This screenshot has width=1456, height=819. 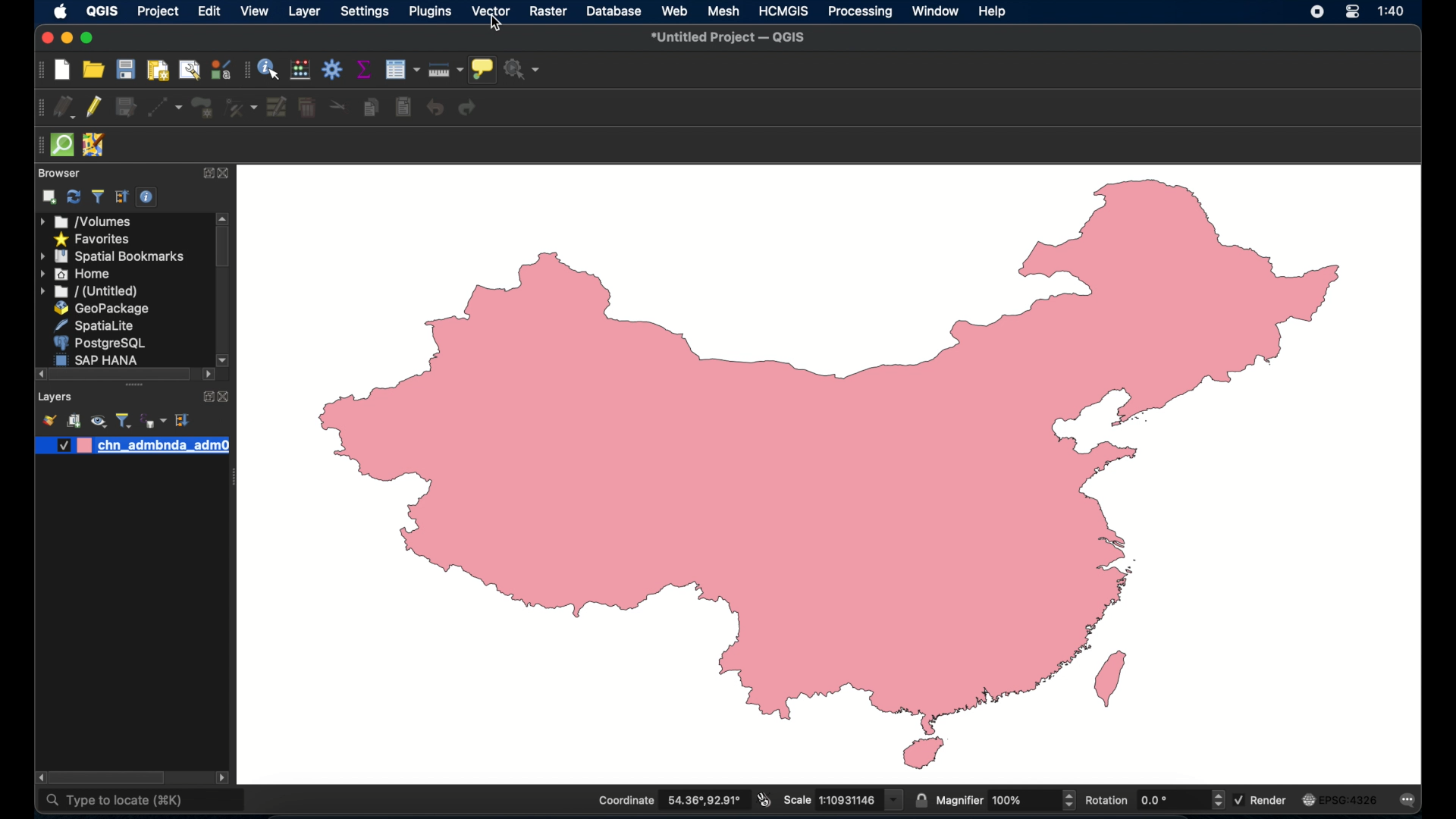 I want to click on scrol. lleft arrow, so click(x=224, y=779).